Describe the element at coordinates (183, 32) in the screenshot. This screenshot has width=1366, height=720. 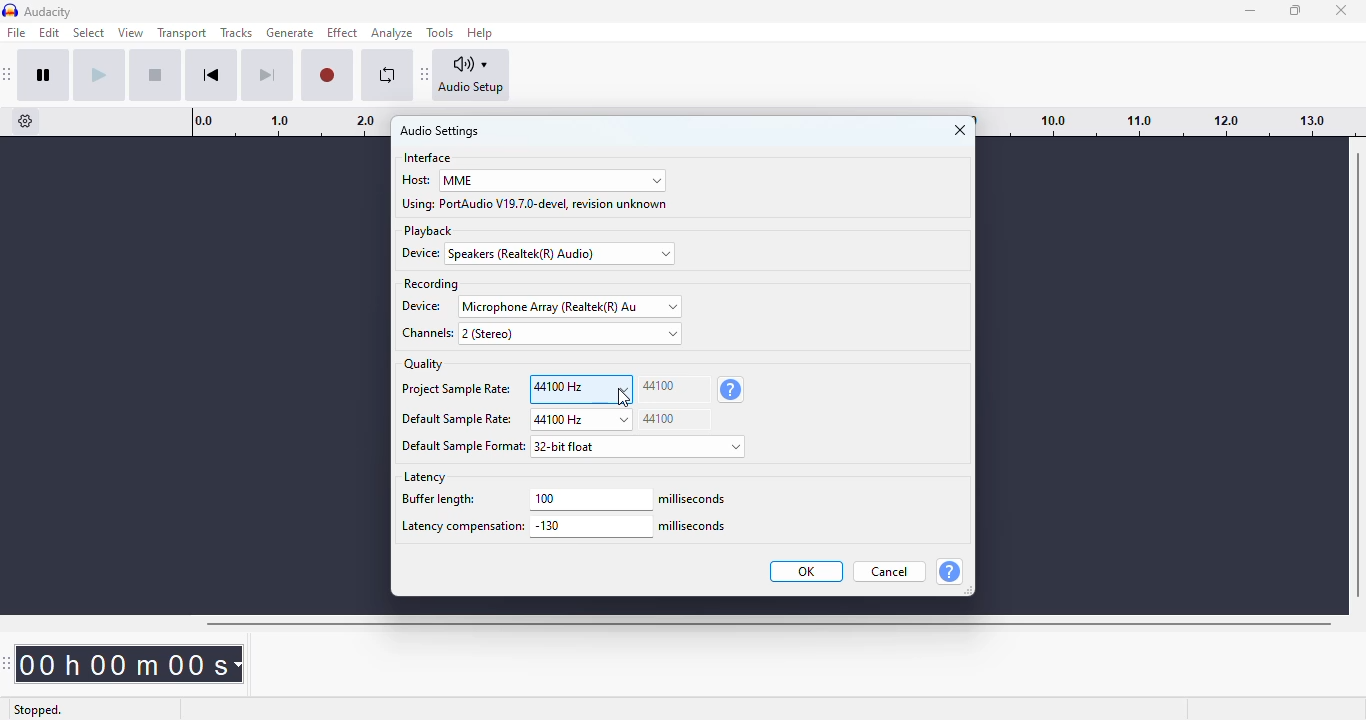
I see `transport` at that location.